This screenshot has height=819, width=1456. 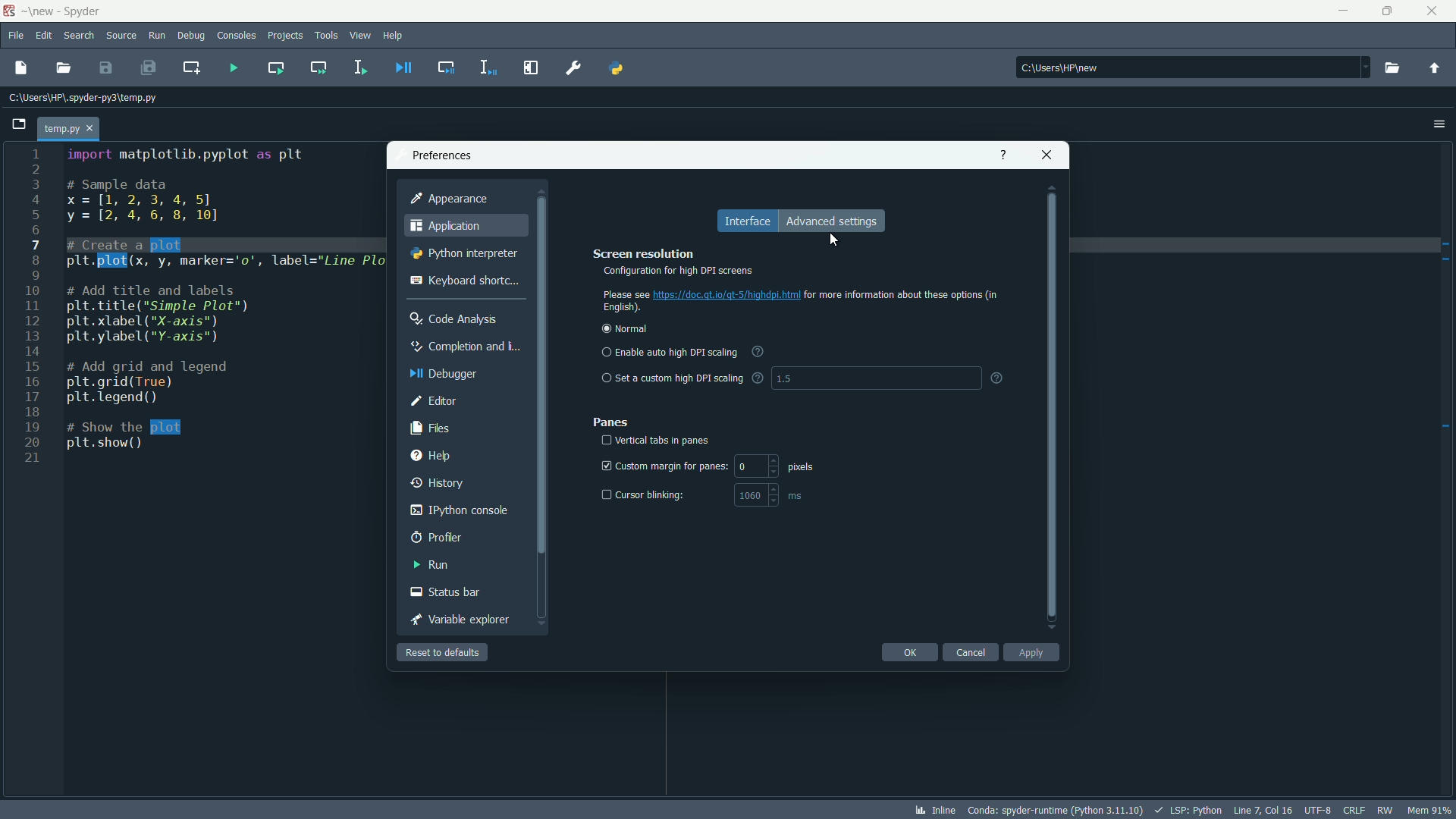 I want to click on keyboard shortcut, so click(x=463, y=279).